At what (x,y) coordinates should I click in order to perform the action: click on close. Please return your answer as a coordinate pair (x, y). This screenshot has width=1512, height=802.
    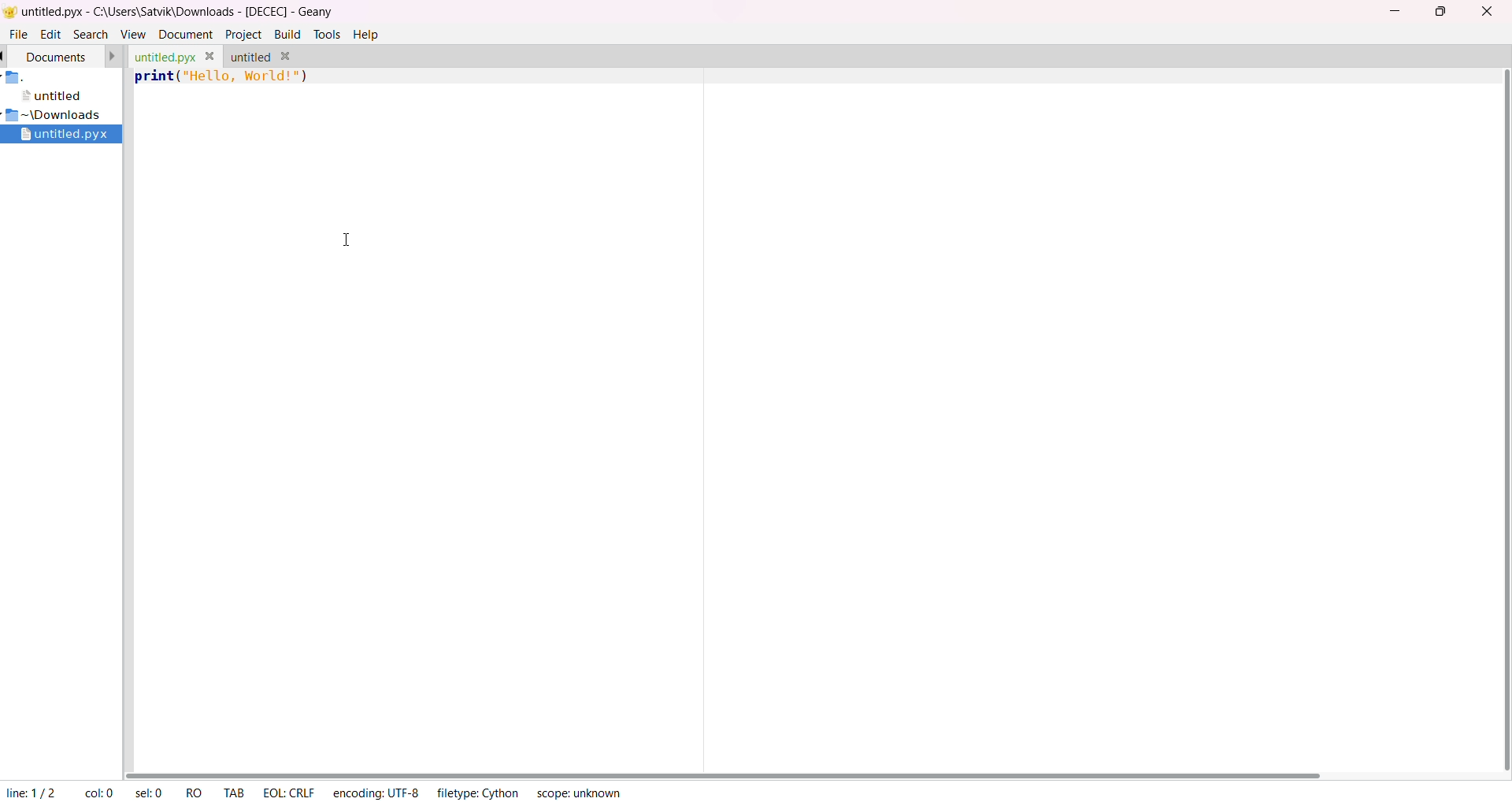
    Looking at the image, I should click on (1489, 12).